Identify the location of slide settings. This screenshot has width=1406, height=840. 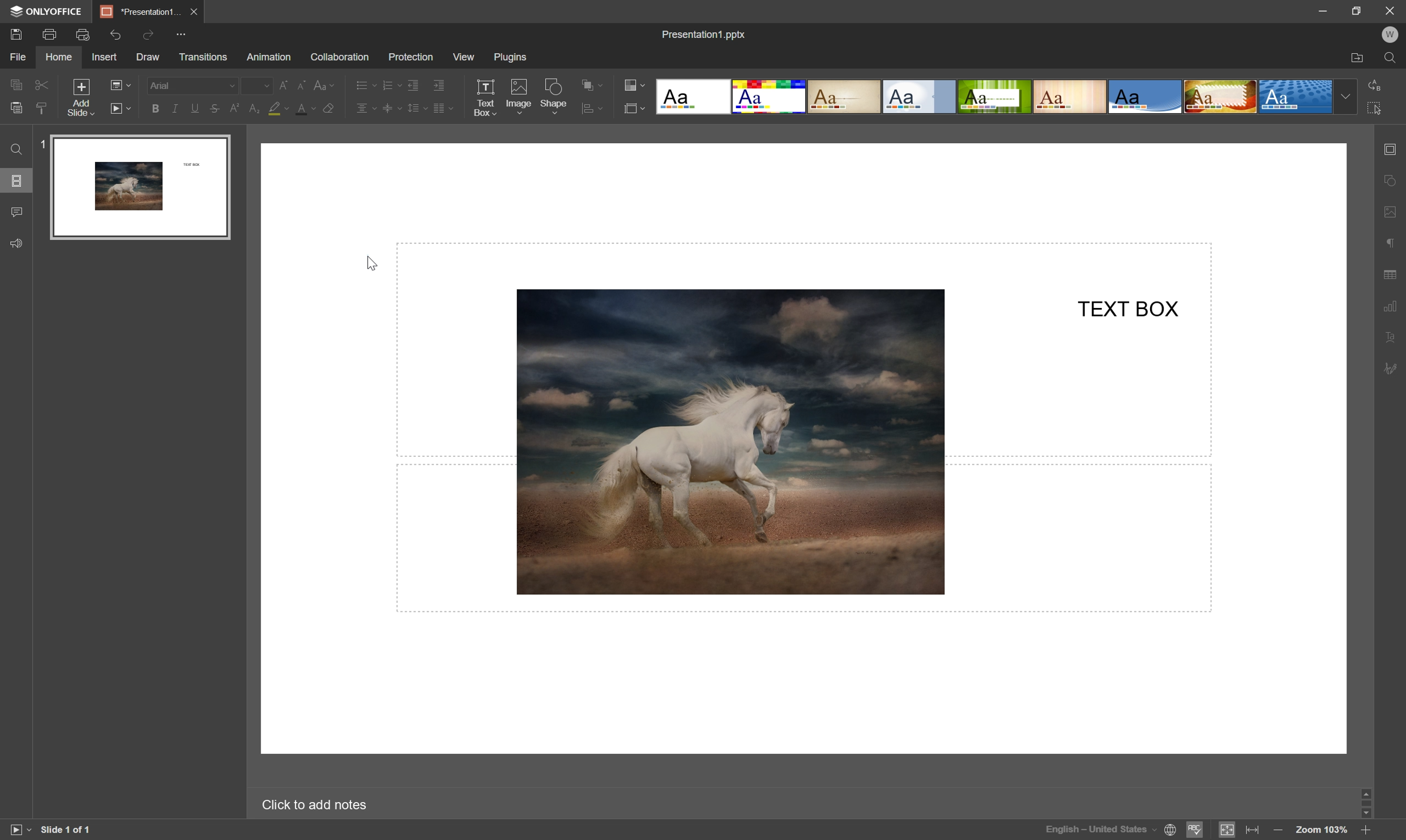
(1391, 150).